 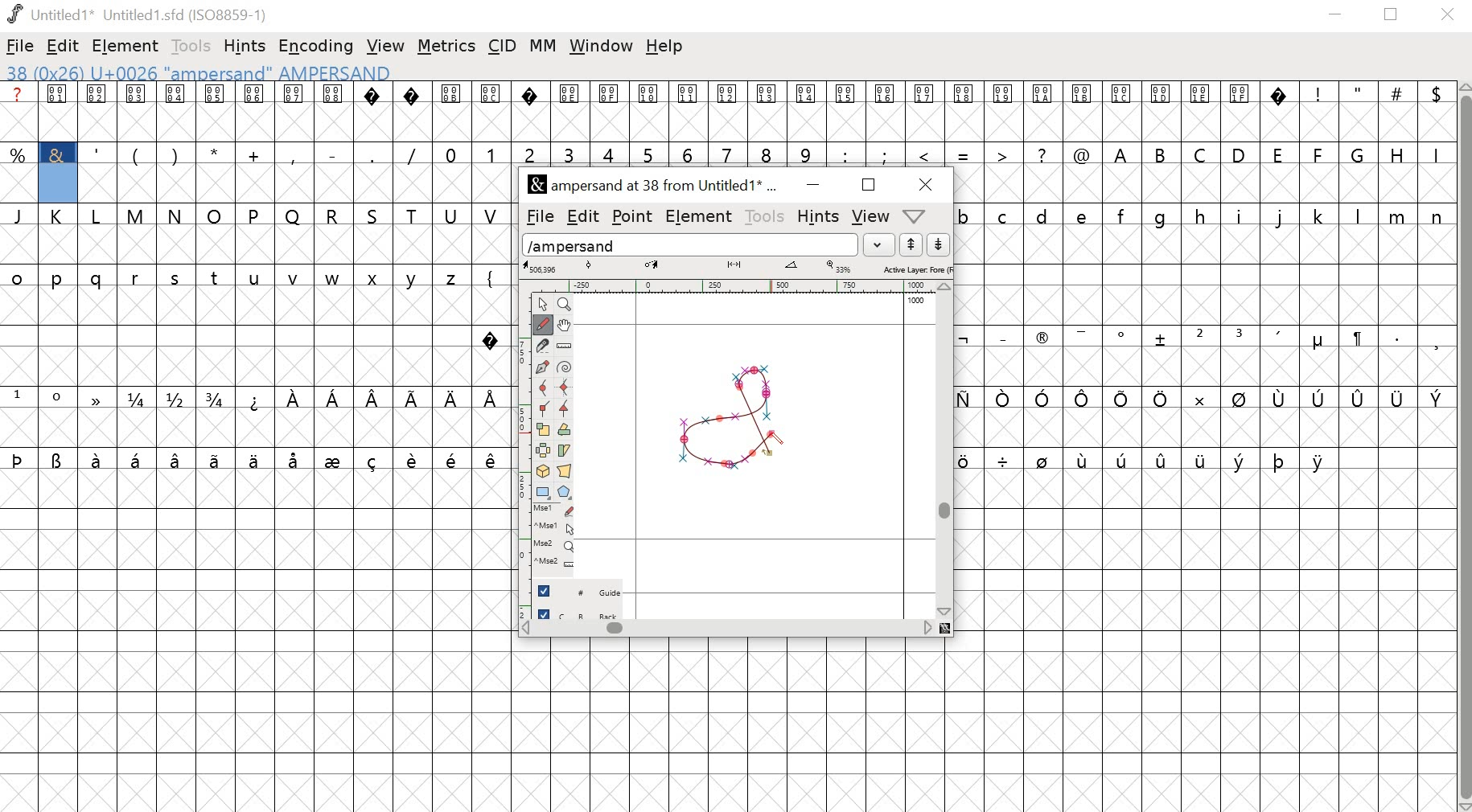 I want to click on drag out its control points , so click(x=542, y=368).